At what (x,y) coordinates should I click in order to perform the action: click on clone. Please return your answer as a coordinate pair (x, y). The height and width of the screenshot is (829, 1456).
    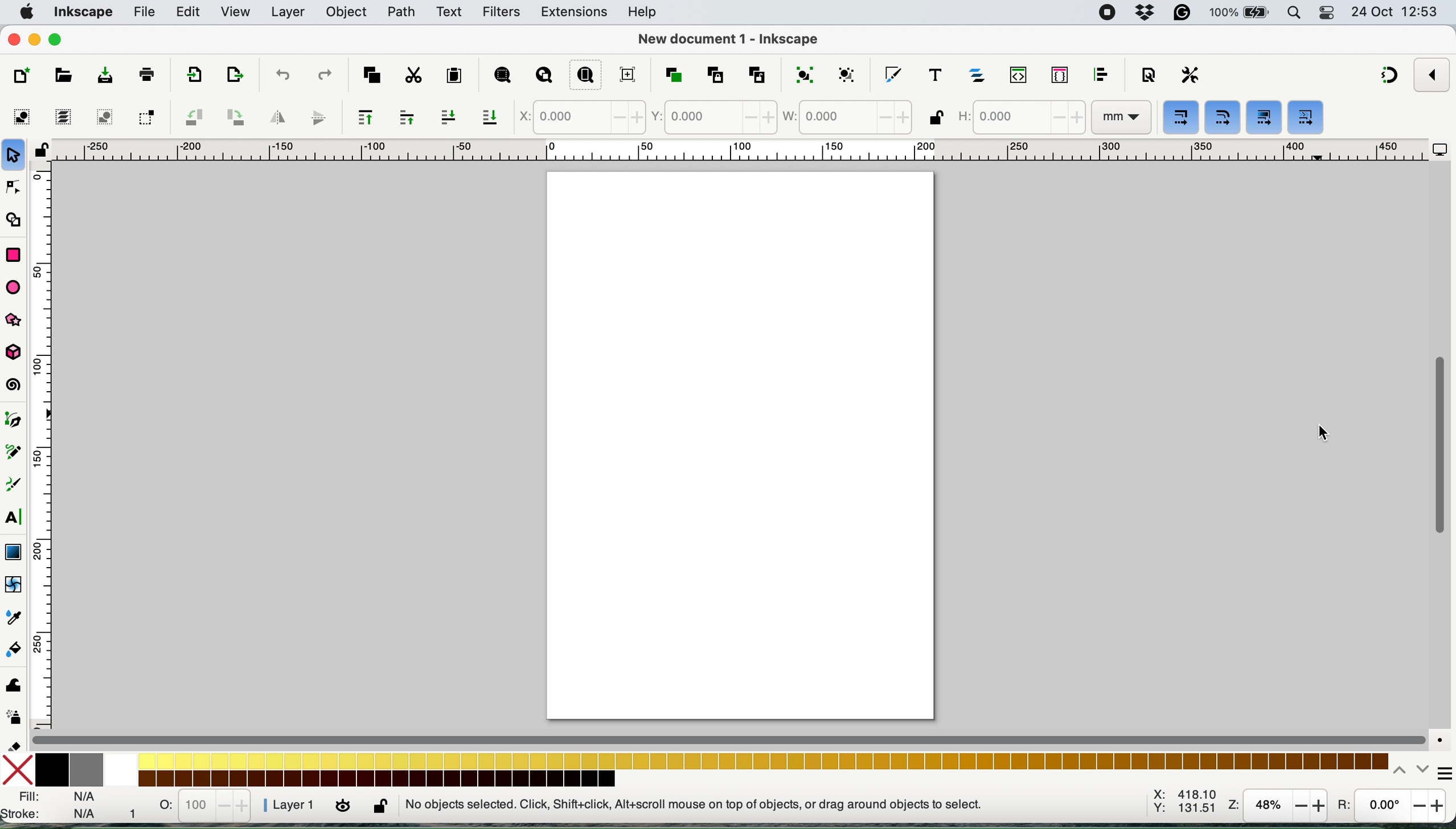
    Looking at the image, I should click on (713, 74).